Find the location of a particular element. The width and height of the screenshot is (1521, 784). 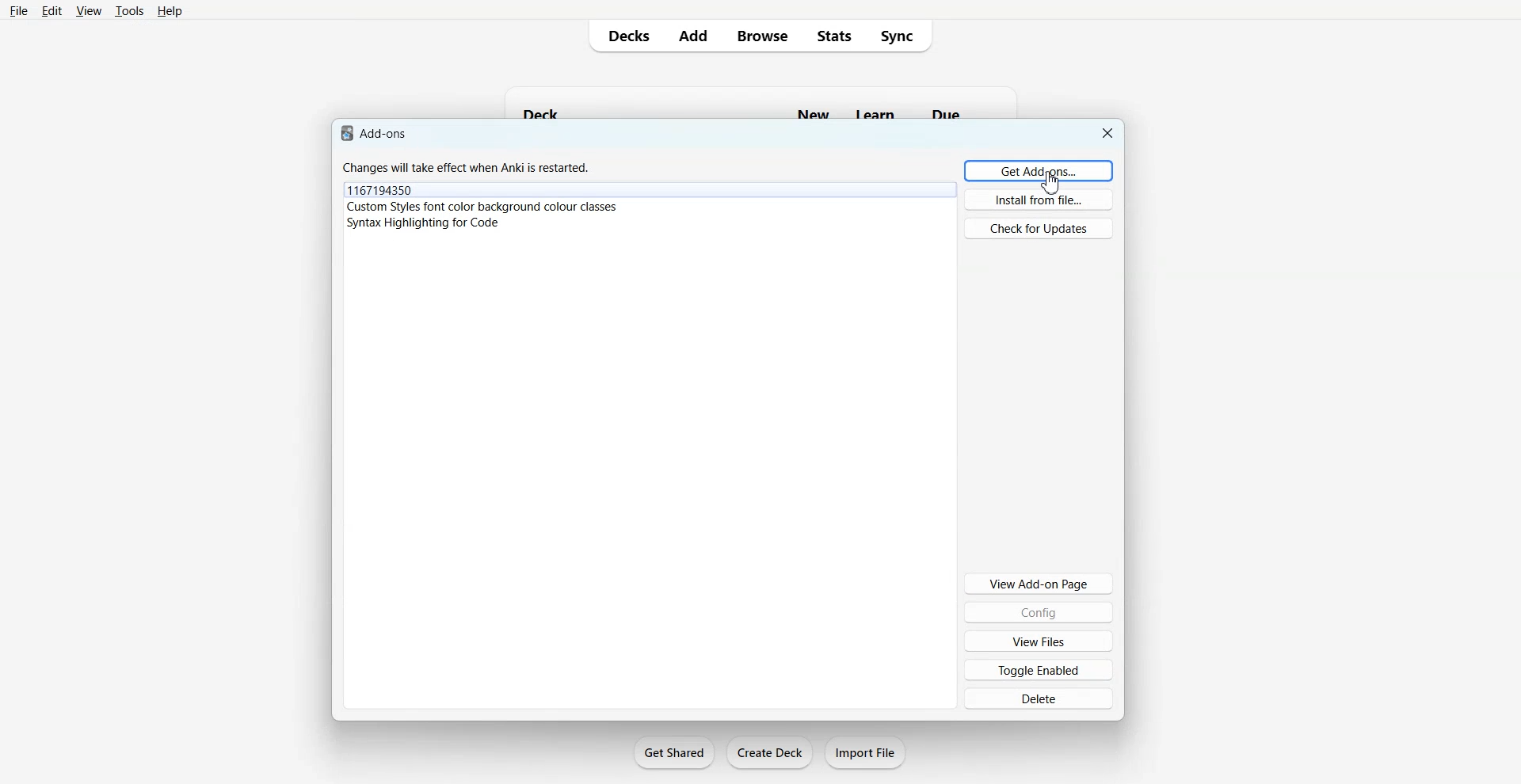

Edit is located at coordinates (51, 10).